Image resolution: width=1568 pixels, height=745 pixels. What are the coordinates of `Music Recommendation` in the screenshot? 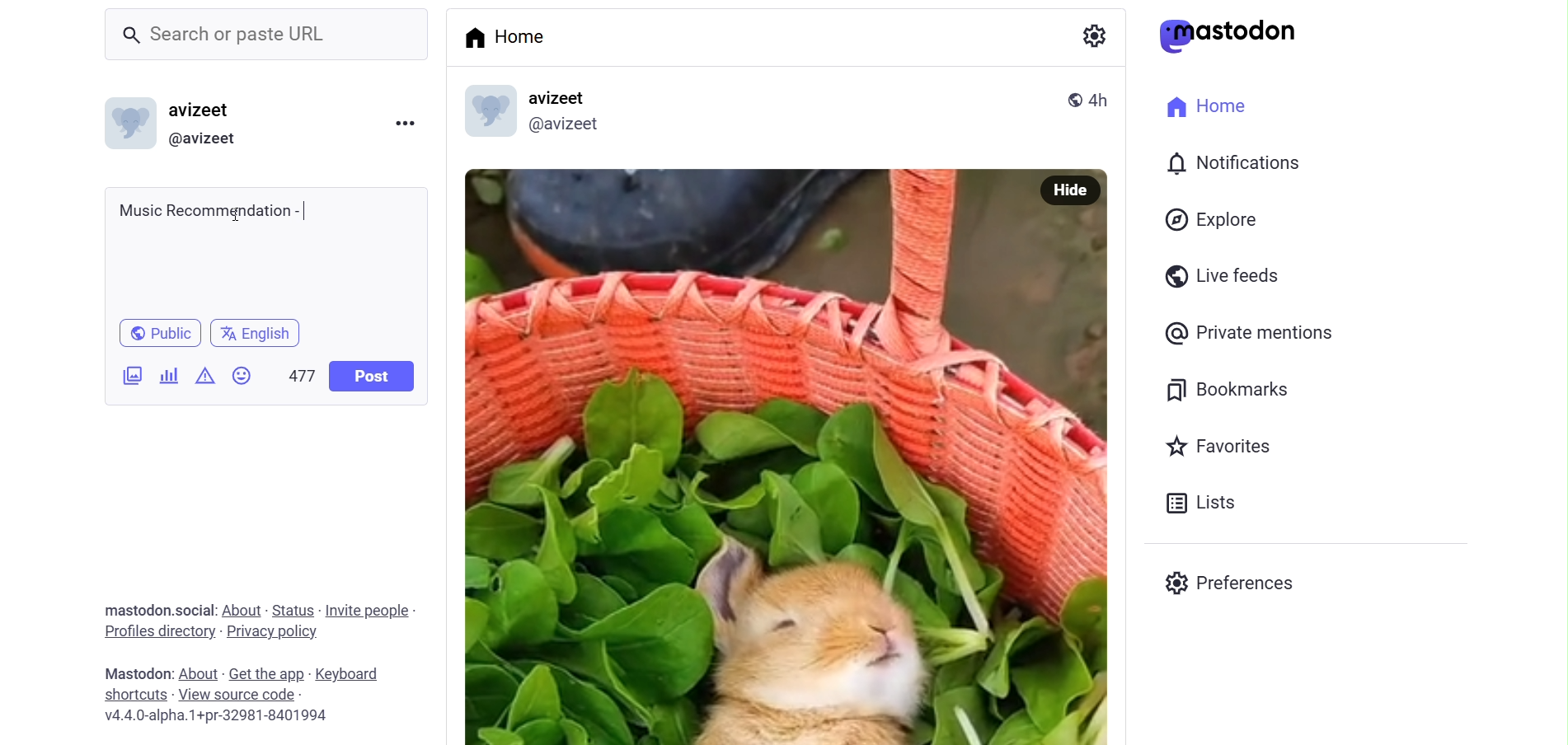 It's located at (211, 209).